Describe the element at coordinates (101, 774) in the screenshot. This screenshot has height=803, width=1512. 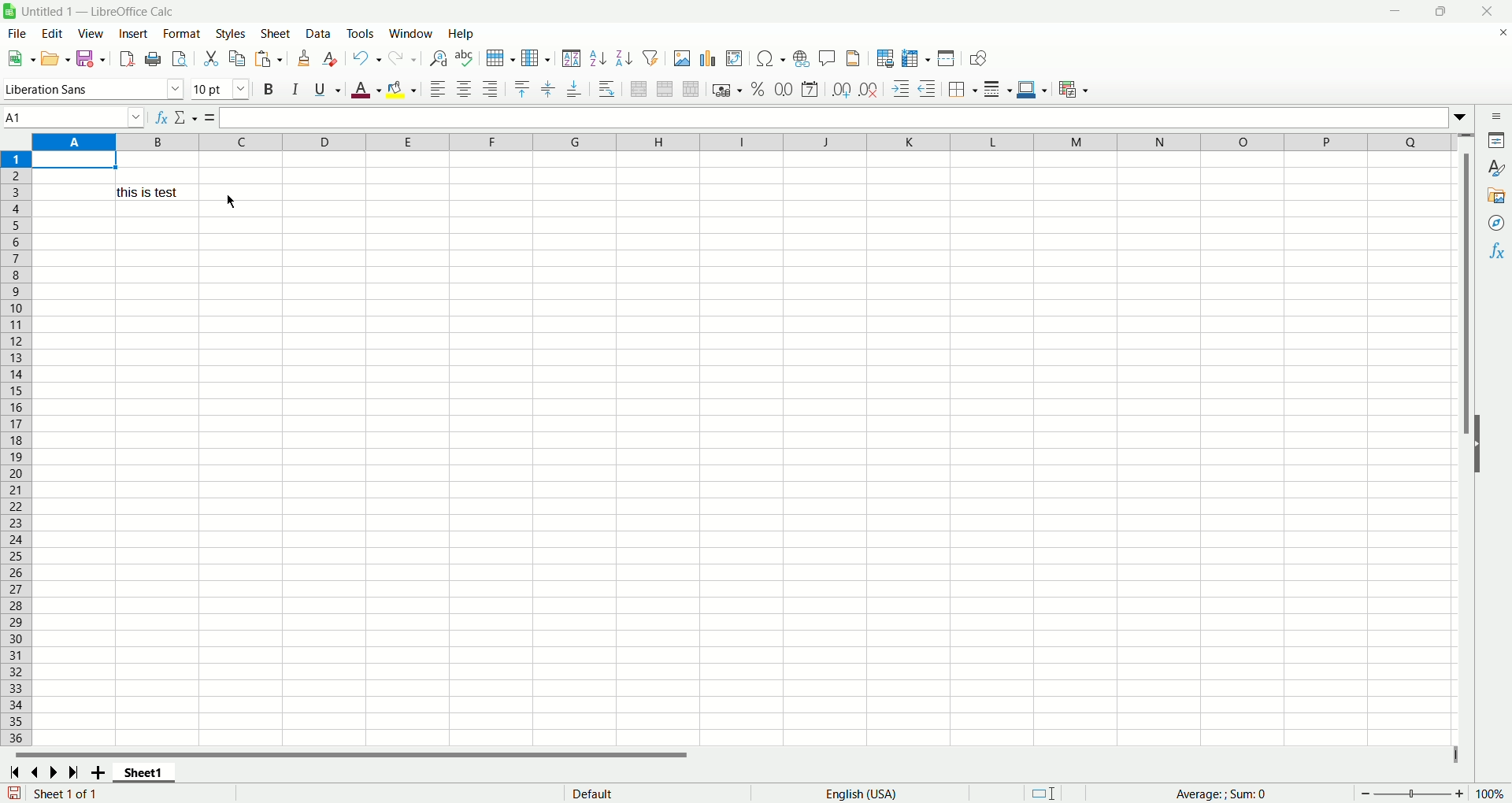
I see `new sheet` at that location.